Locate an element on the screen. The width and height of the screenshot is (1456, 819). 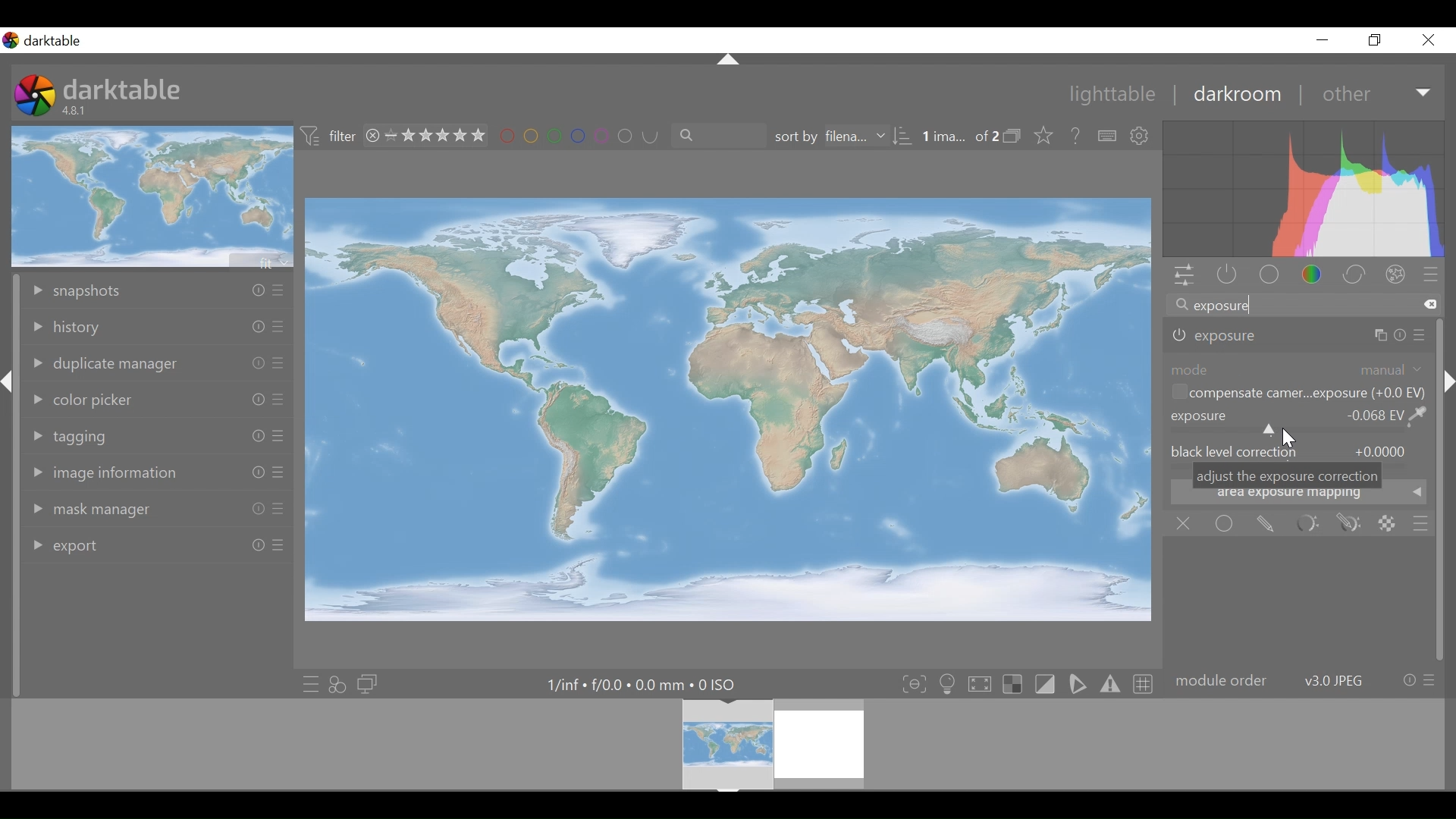
Help is located at coordinates (1075, 134).